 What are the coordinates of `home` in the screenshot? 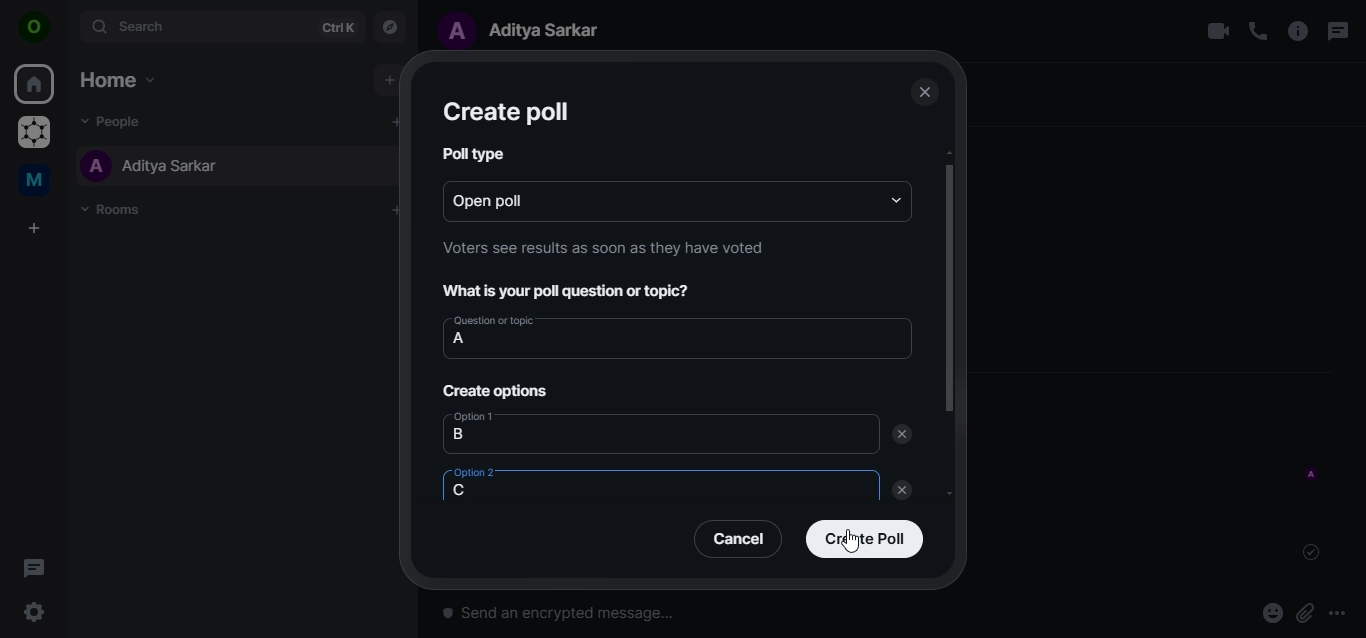 It's located at (116, 79).